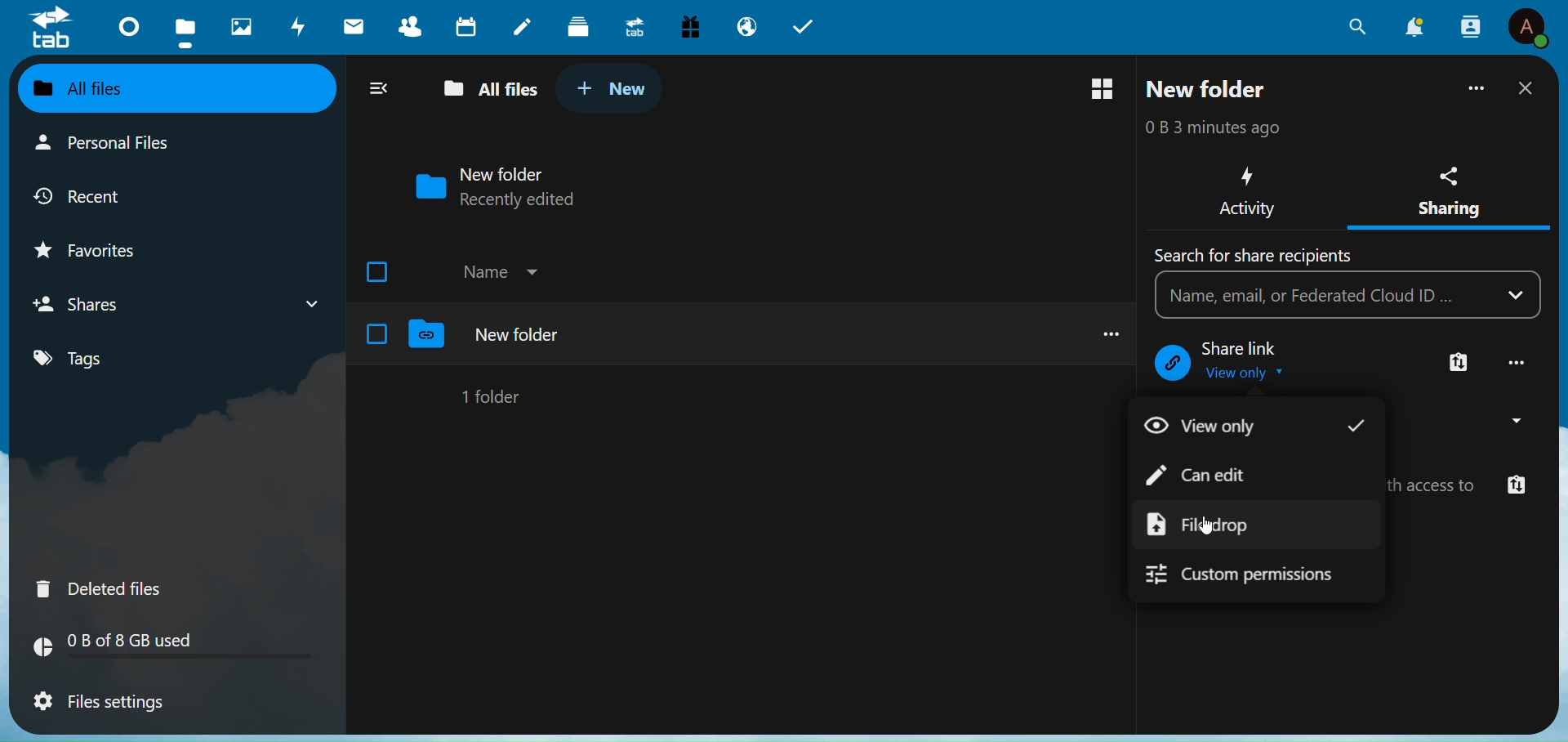 The height and width of the screenshot is (742, 1568). I want to click on Sharing selected, so click(1447, 231).